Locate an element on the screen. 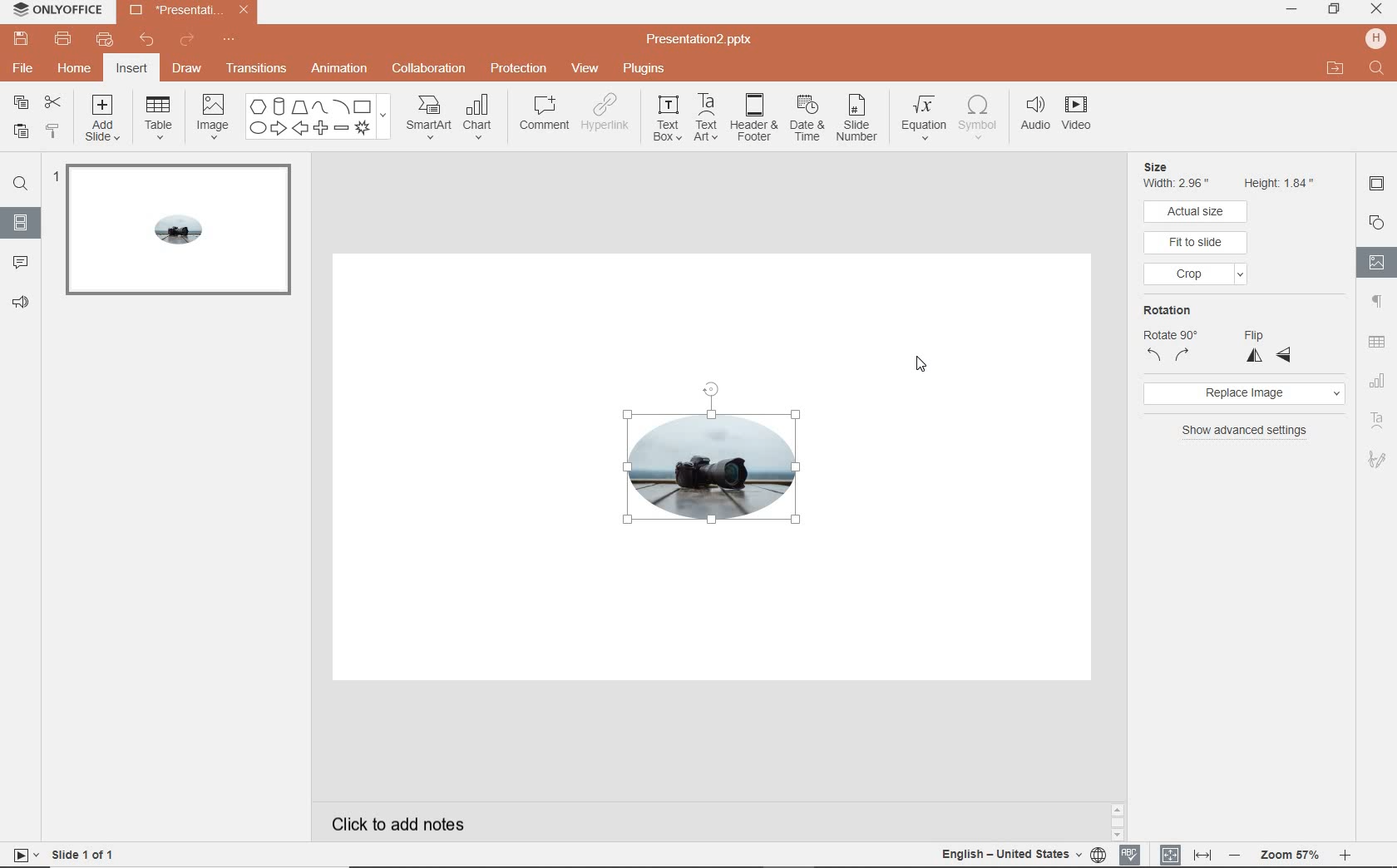 The height and width of the screenshot is (868, 1397). slide settings is located at coordinates (1377, 186).